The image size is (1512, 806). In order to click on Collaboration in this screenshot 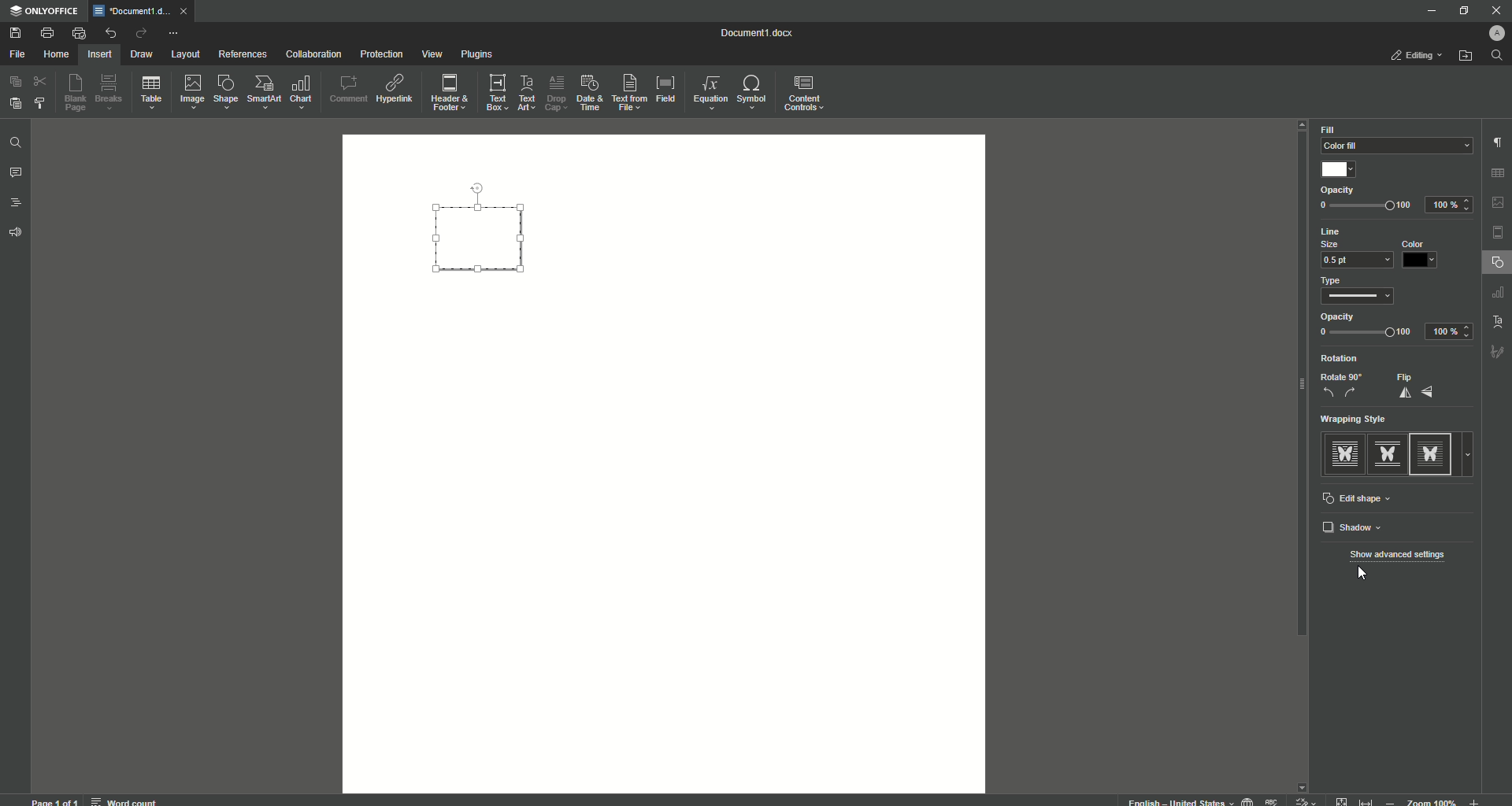, I will do `click(313, 56)`.